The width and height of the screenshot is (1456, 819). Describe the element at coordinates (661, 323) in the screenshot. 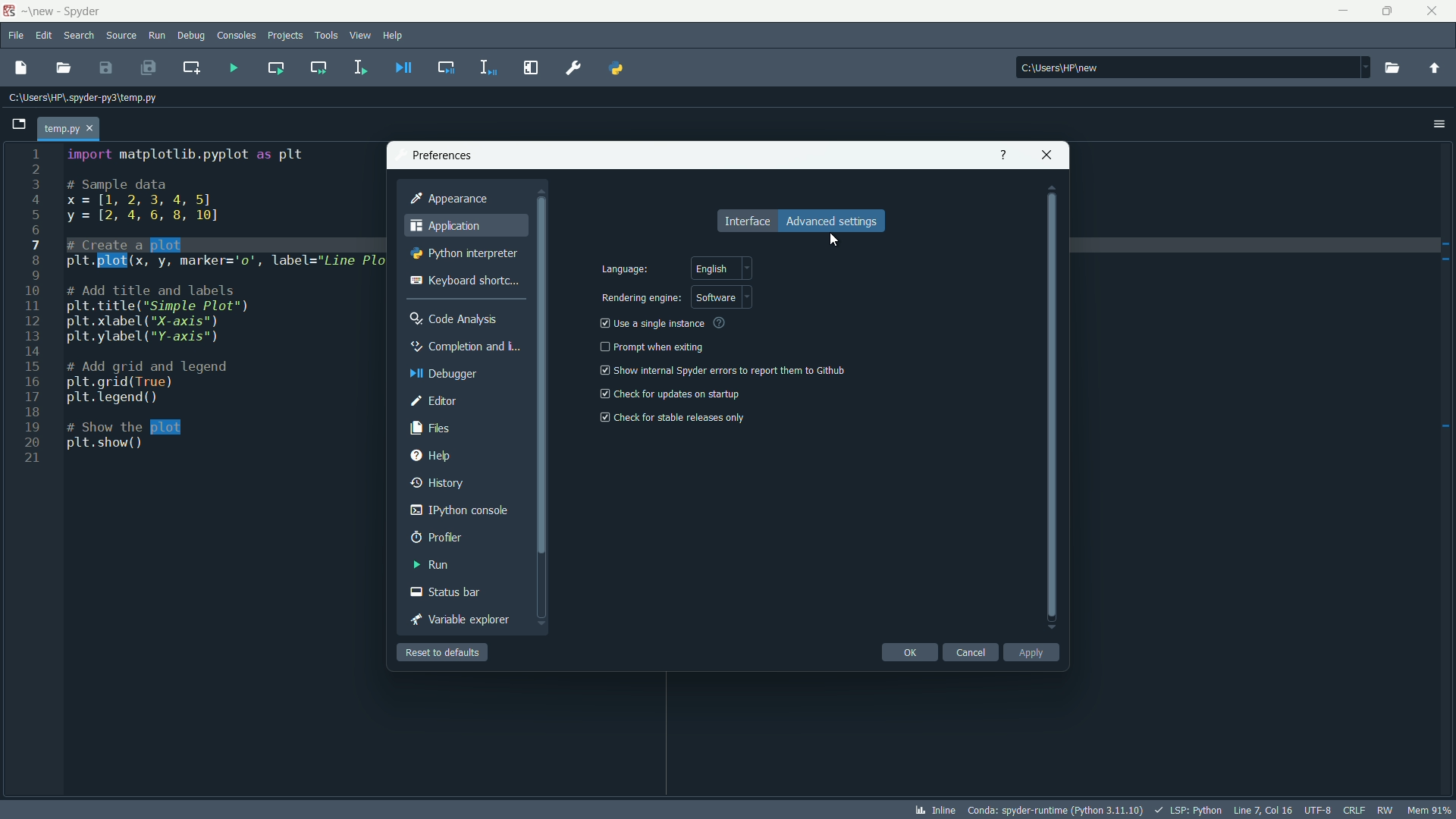

I see `use a single instance` at that location.